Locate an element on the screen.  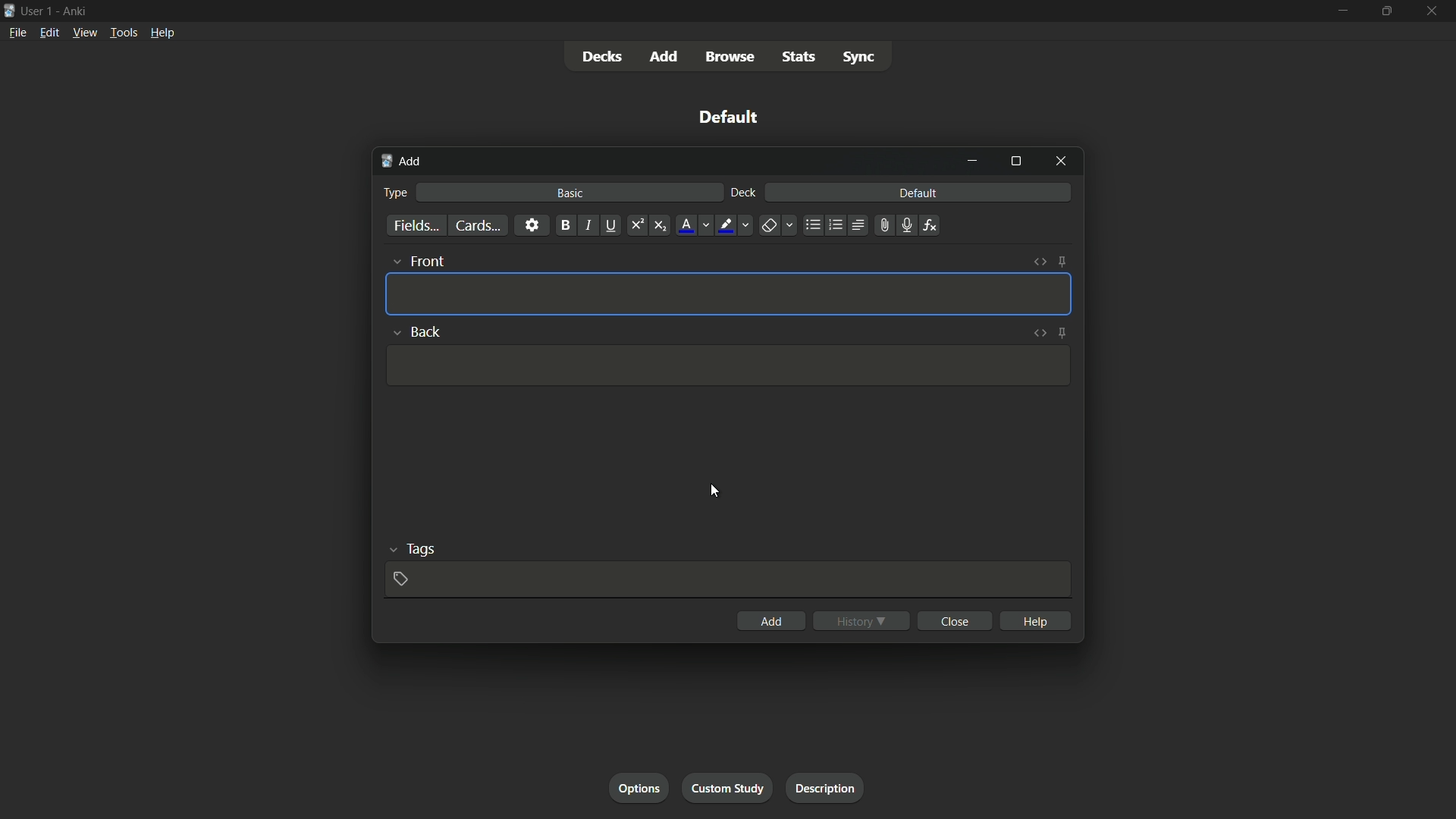
options is located at coordinates (639, 787).